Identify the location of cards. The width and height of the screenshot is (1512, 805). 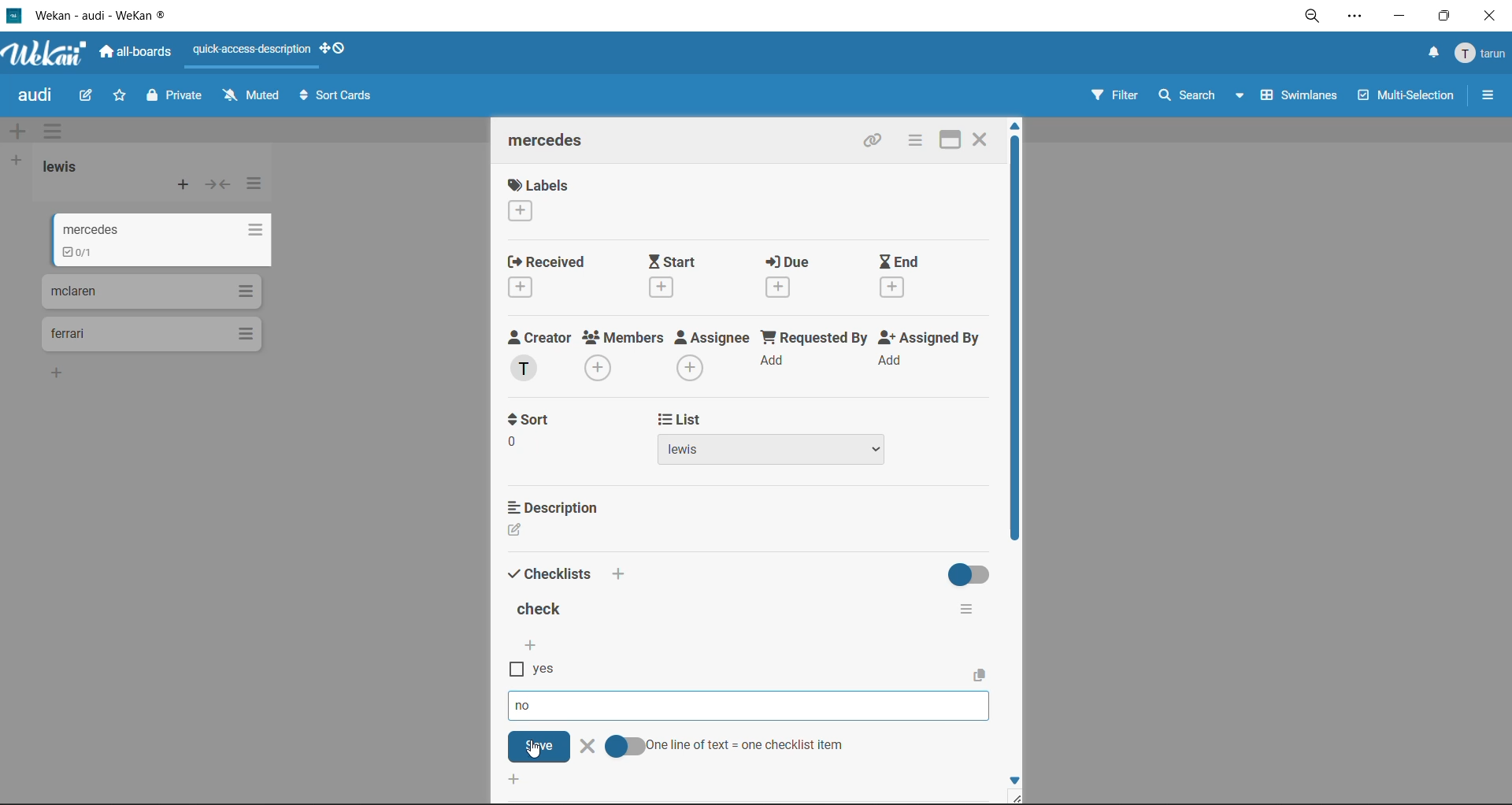
(150, 291).